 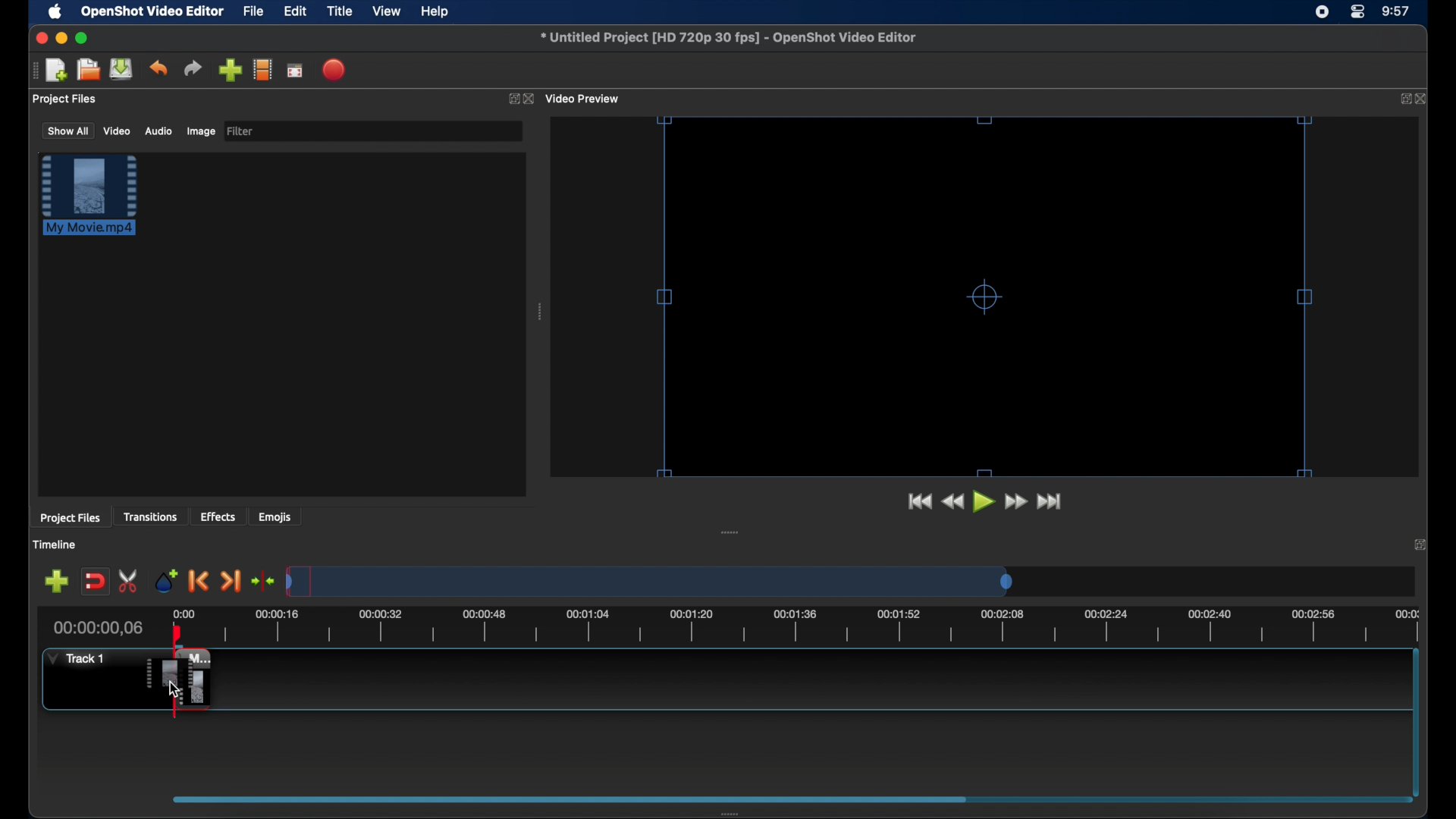 What do you see at coordinates (150, 516) in the screenshot?
I see `transitions` at bounding box center [150, 516].